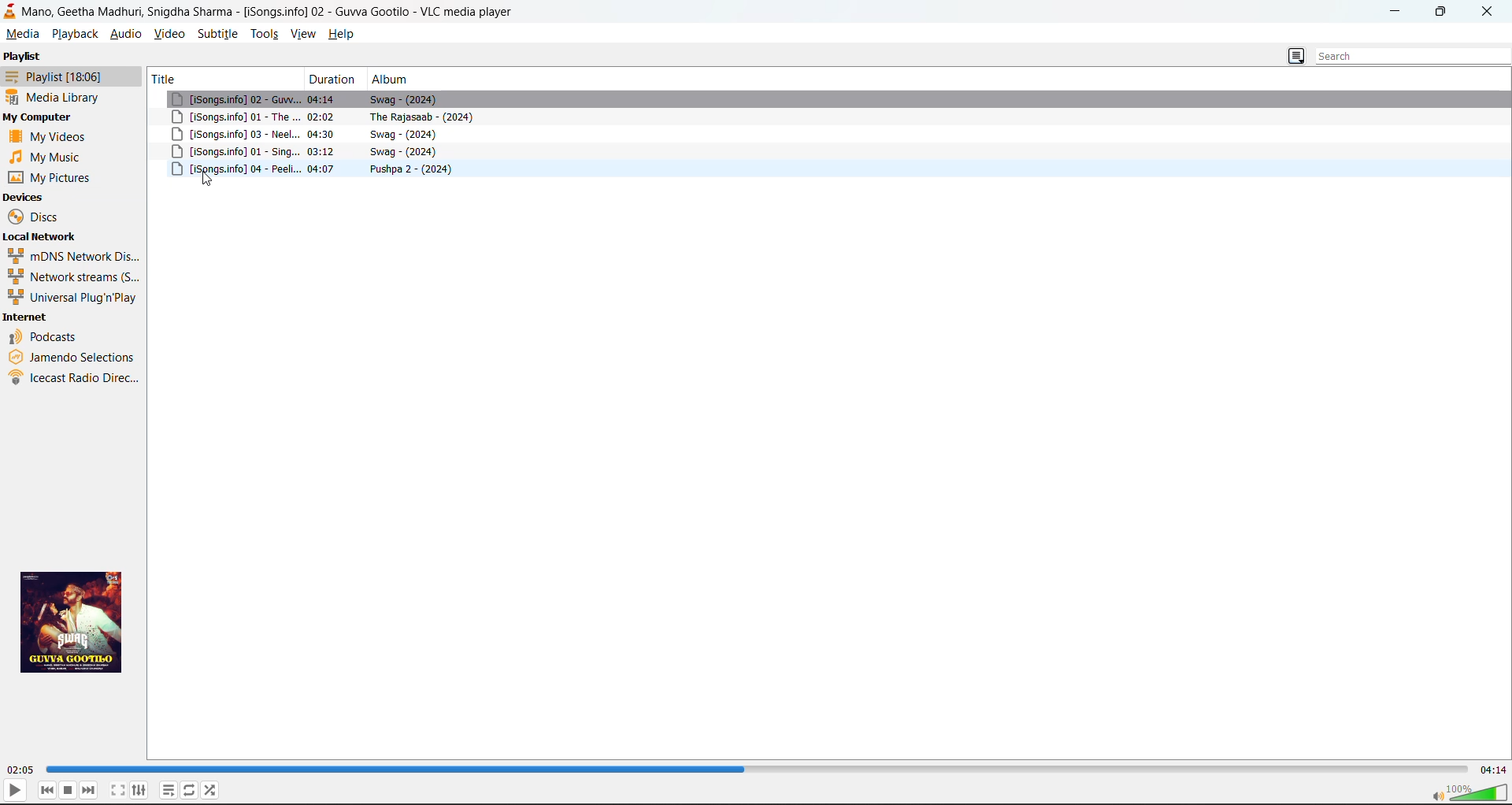 The width and height of the screenshot is (1512, 805). Describe the element at coordinates (25, 198) in the screenshot. I see `devices` at that location.